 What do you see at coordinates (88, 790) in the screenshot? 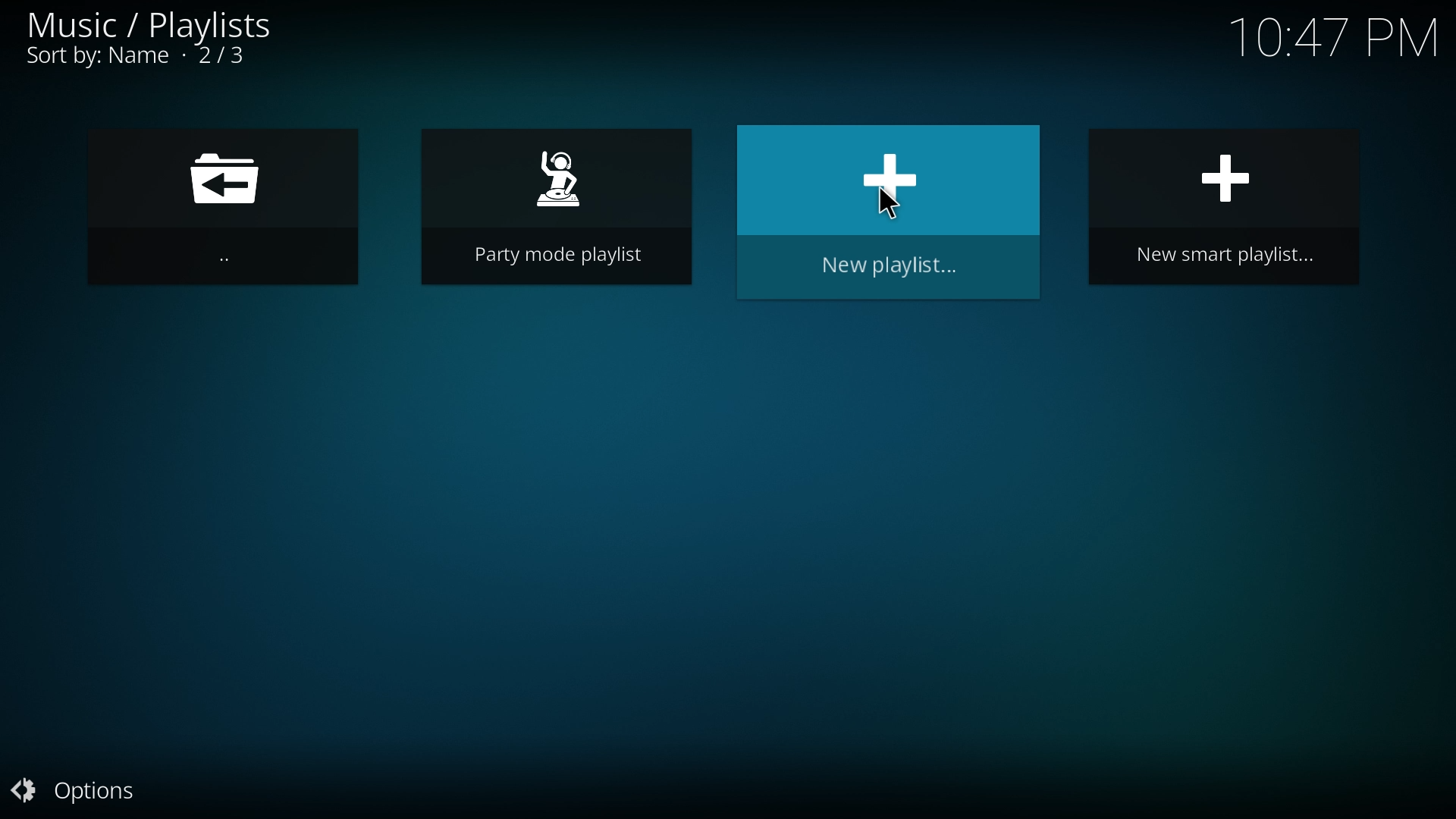
I see `options` at bounding box center [88, 790].